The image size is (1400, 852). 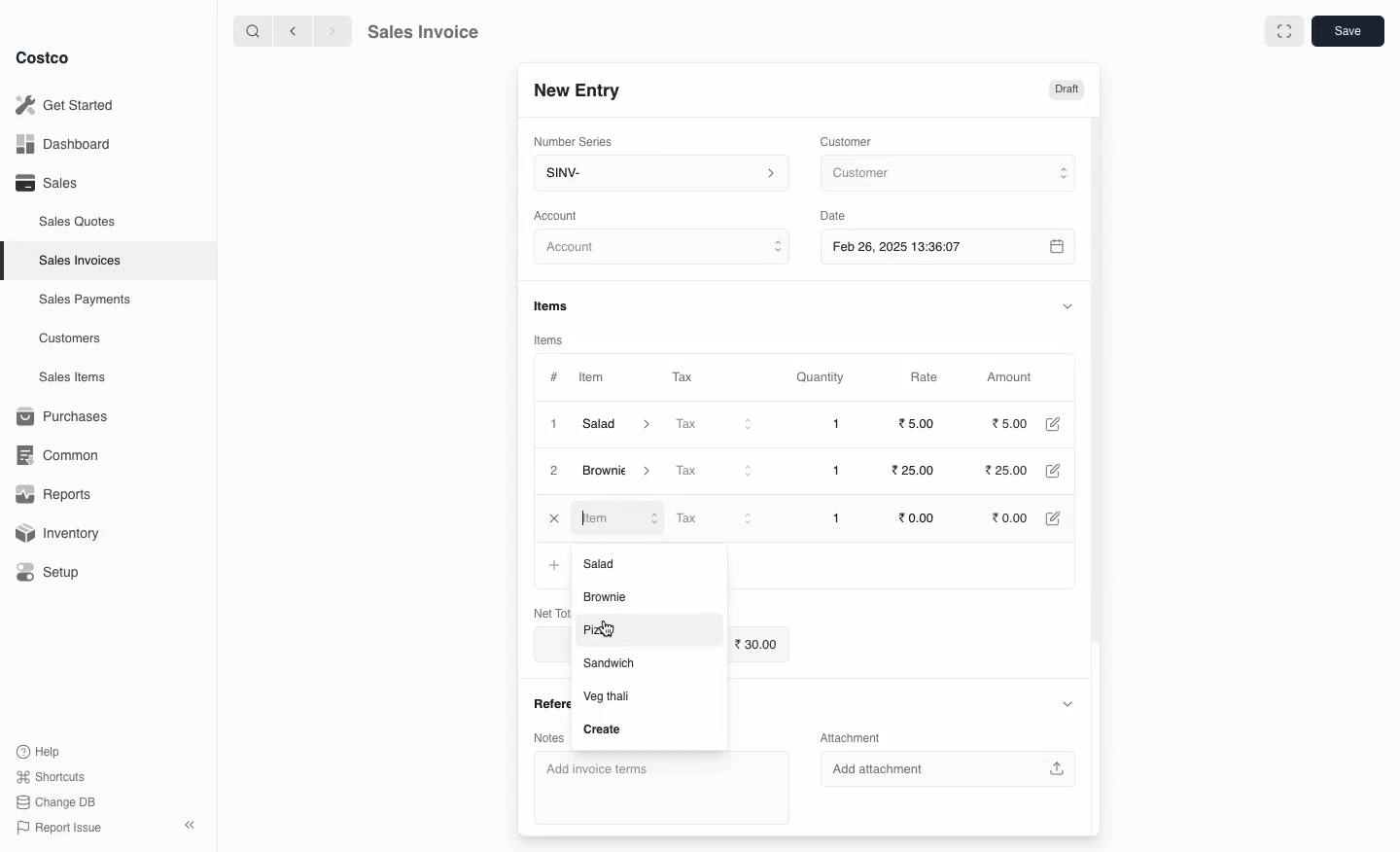 What do you see at coordinates (946, 174) in the screenshot?
I see `Customer` at bounding box center [946, 174].